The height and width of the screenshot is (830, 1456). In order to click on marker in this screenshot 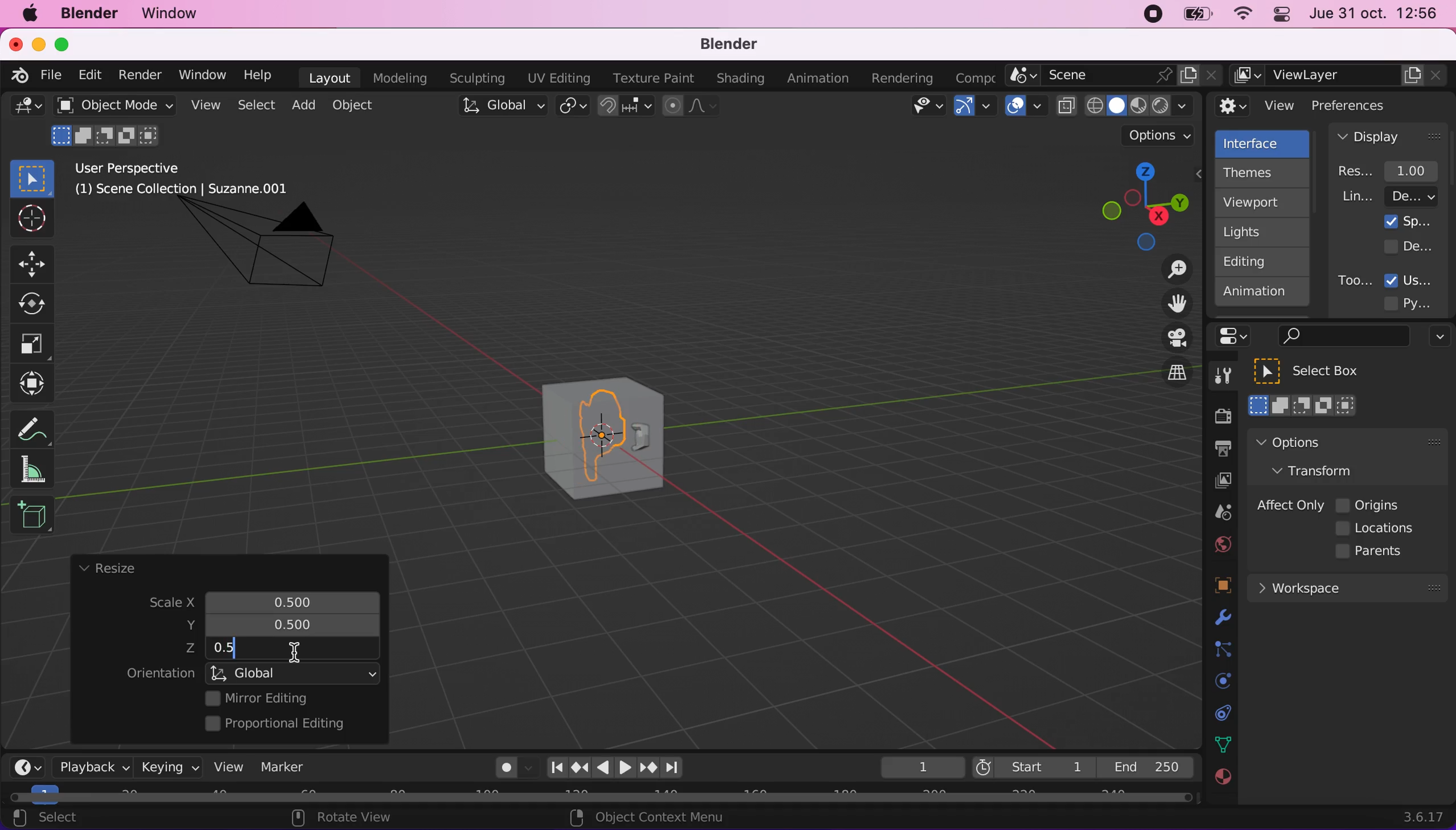, I will do `click(283, 767)`.